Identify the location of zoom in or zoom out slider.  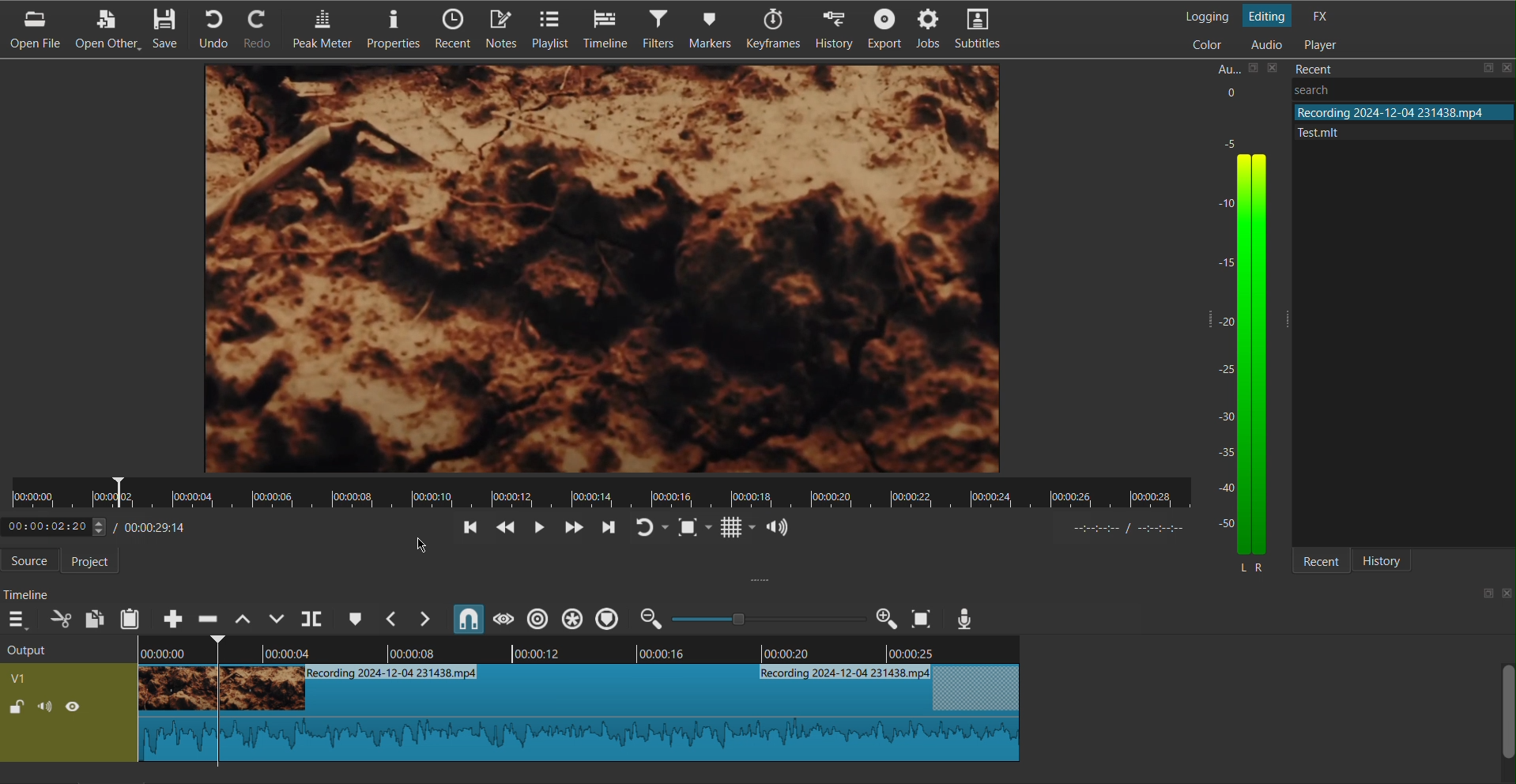
(763, 618).